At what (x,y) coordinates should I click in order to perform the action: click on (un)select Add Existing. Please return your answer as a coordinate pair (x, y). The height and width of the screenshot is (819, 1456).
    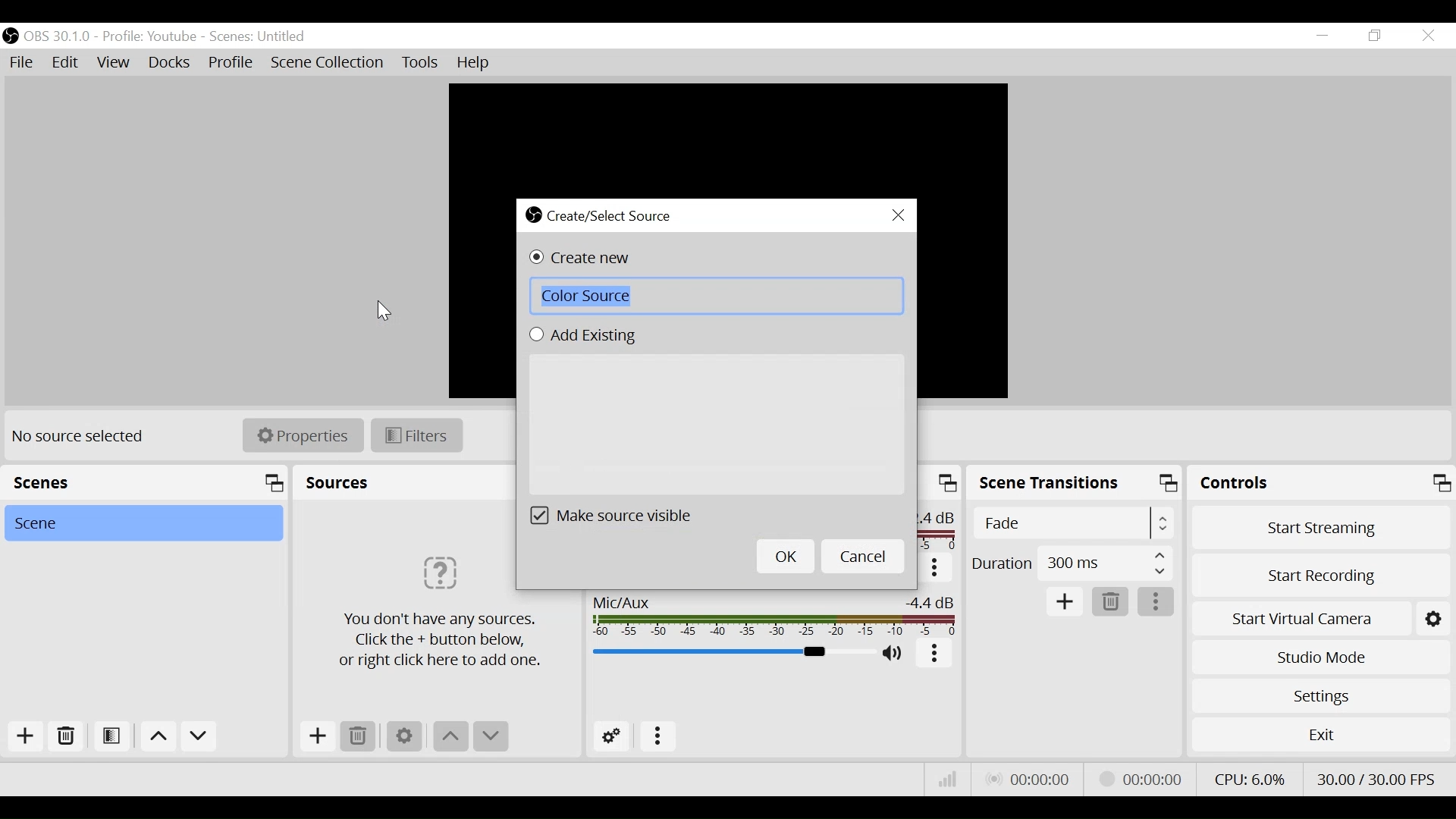
    Looking at the image, I should click on (585, 337).